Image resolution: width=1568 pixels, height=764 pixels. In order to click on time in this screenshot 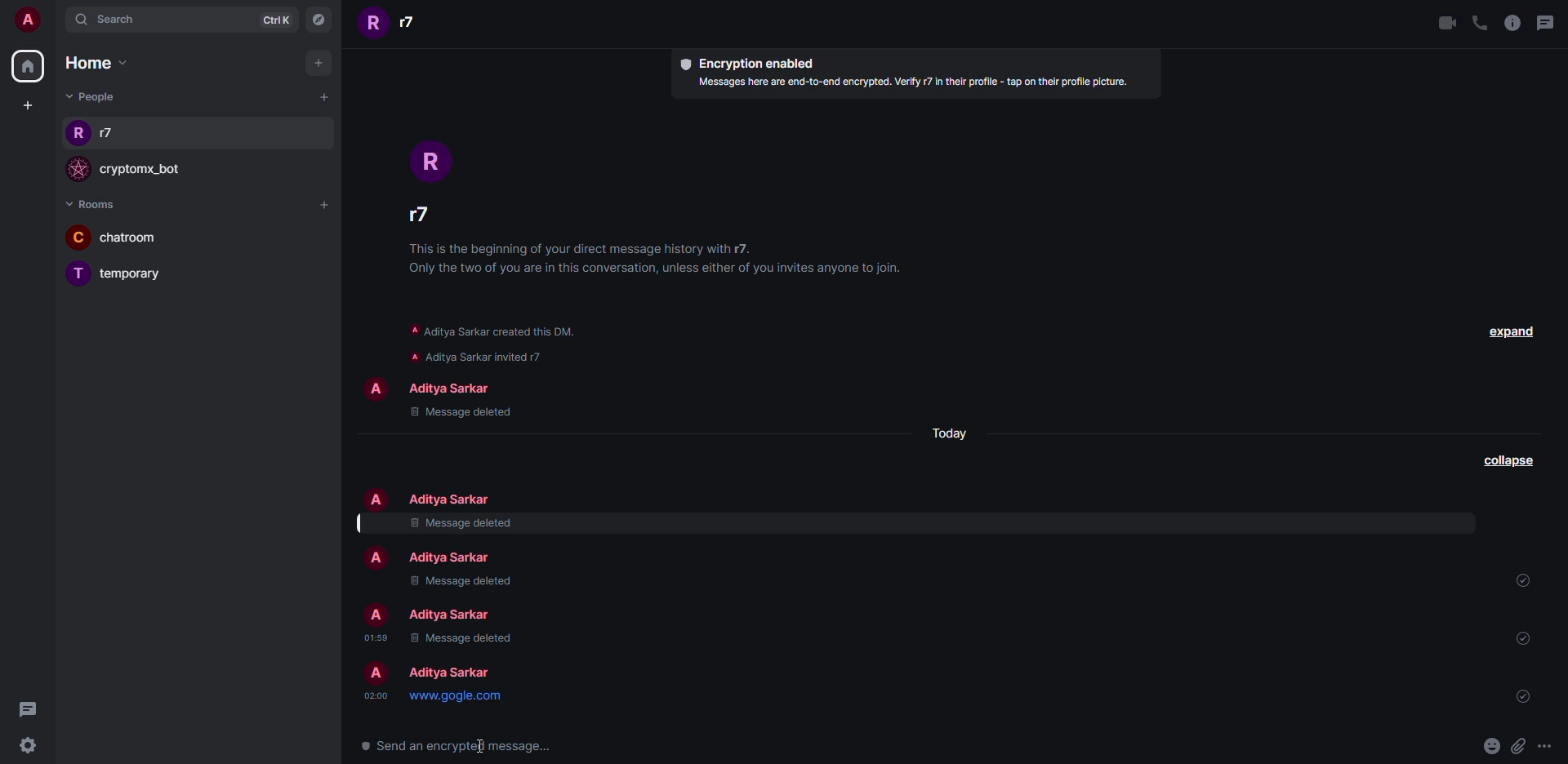, I will do `click(376, 637)`.